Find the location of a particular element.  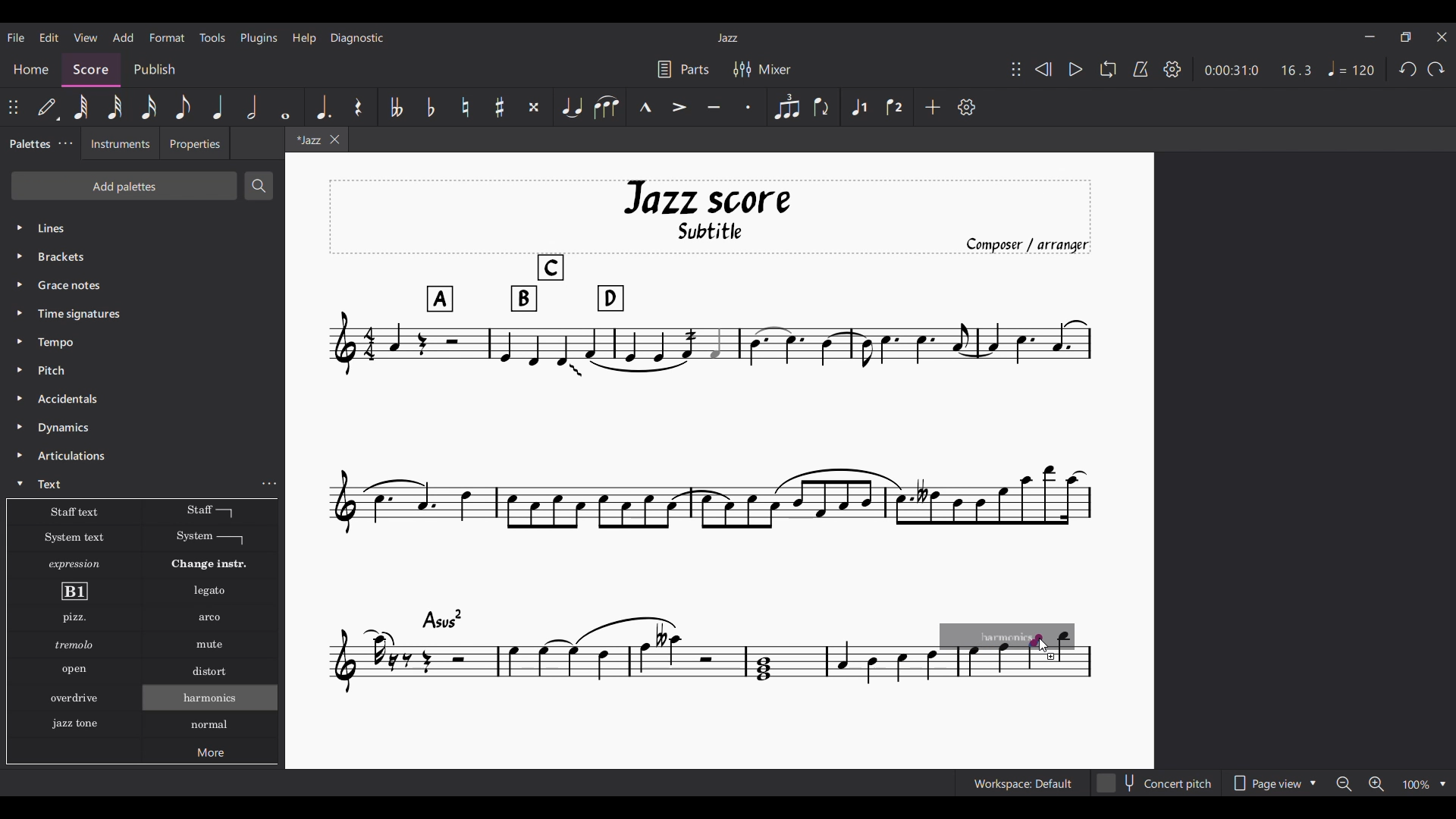

System is located at coordinates (210, 538).